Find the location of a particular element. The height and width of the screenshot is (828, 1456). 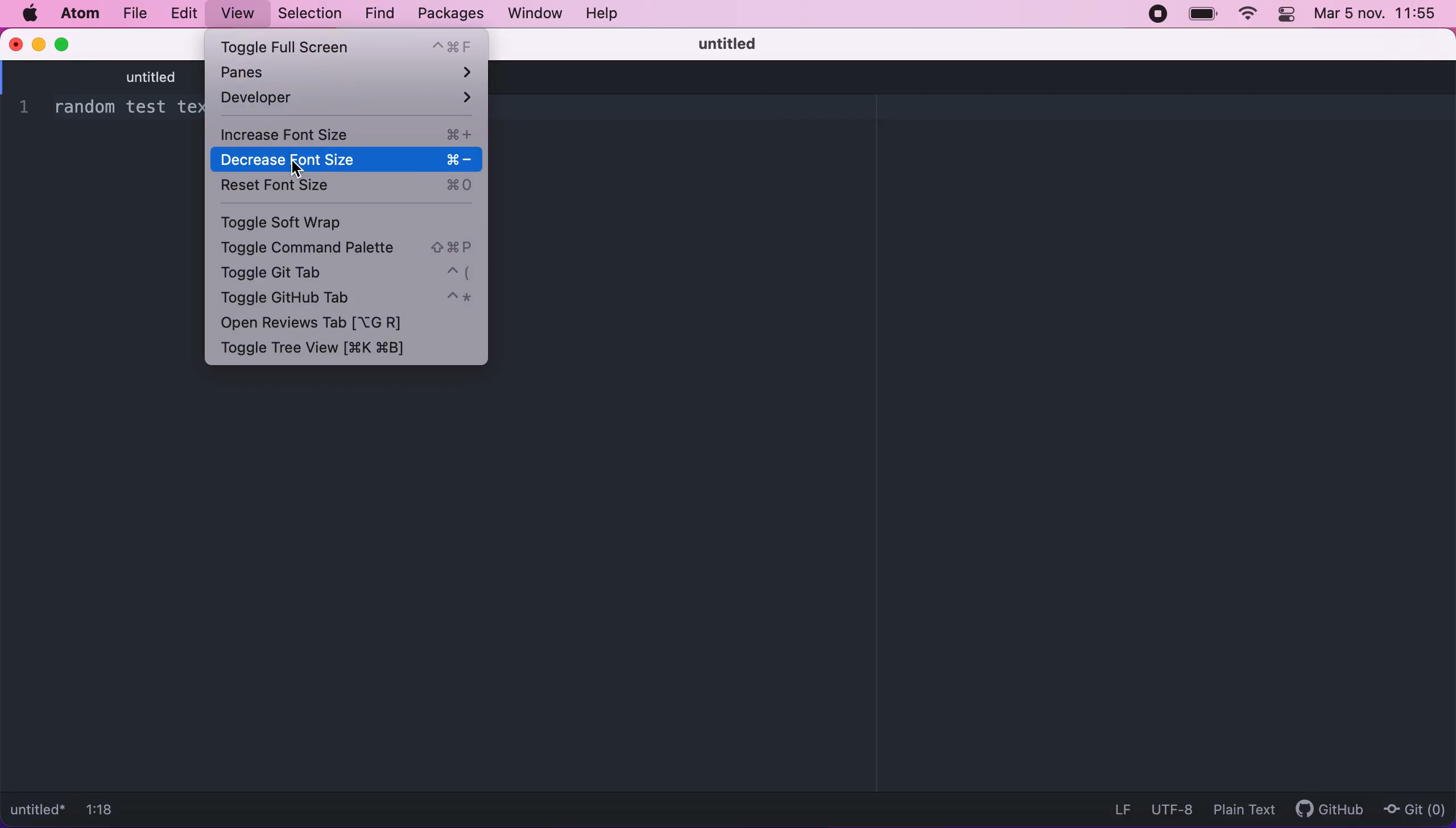

selection is located at coordinates (313, 14).